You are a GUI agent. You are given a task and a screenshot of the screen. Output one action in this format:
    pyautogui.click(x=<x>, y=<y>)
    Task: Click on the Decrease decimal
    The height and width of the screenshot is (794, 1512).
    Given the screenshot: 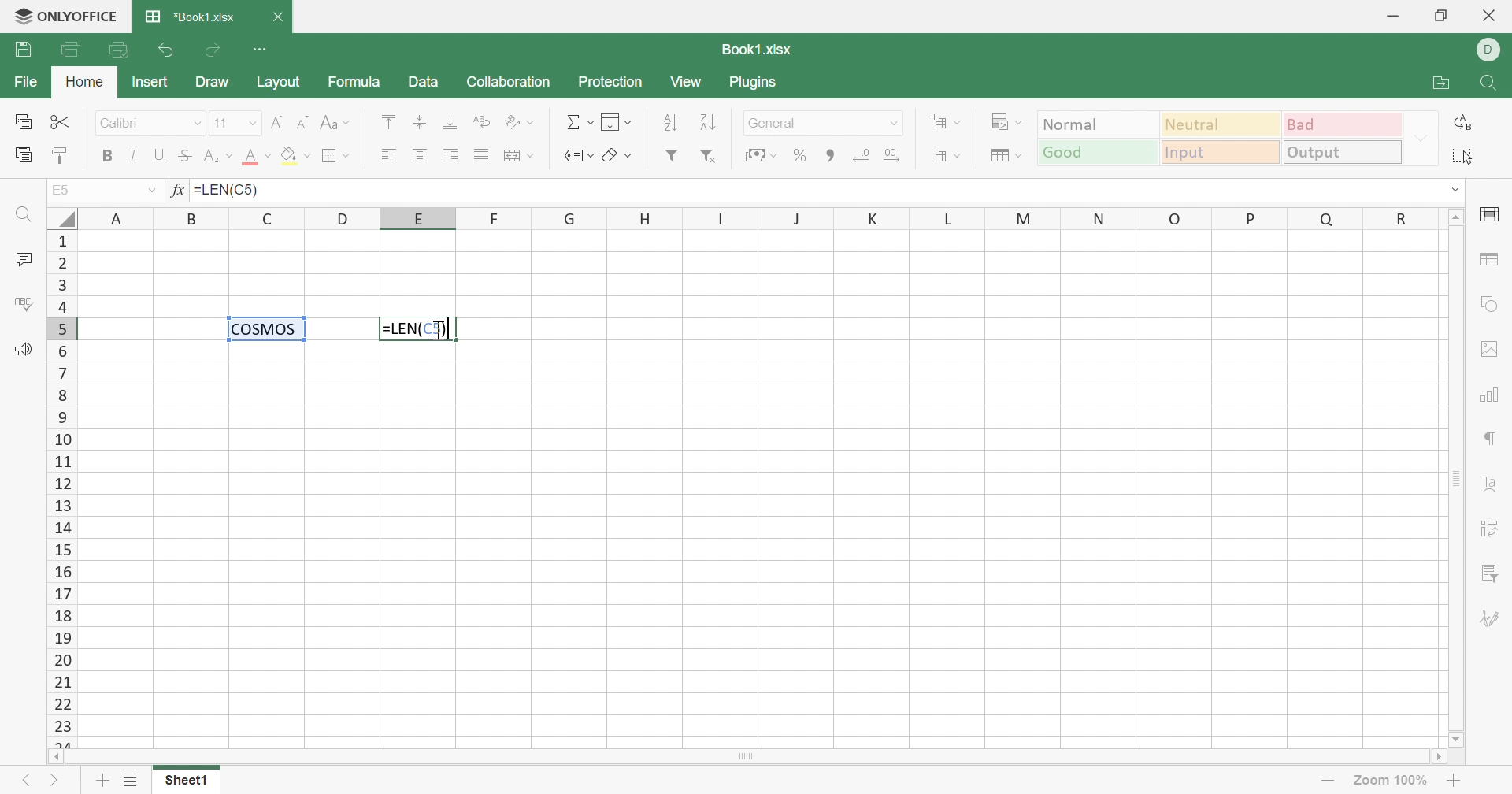 What is the action you would take?
    pyautogui.click(x=863, y=157)
    